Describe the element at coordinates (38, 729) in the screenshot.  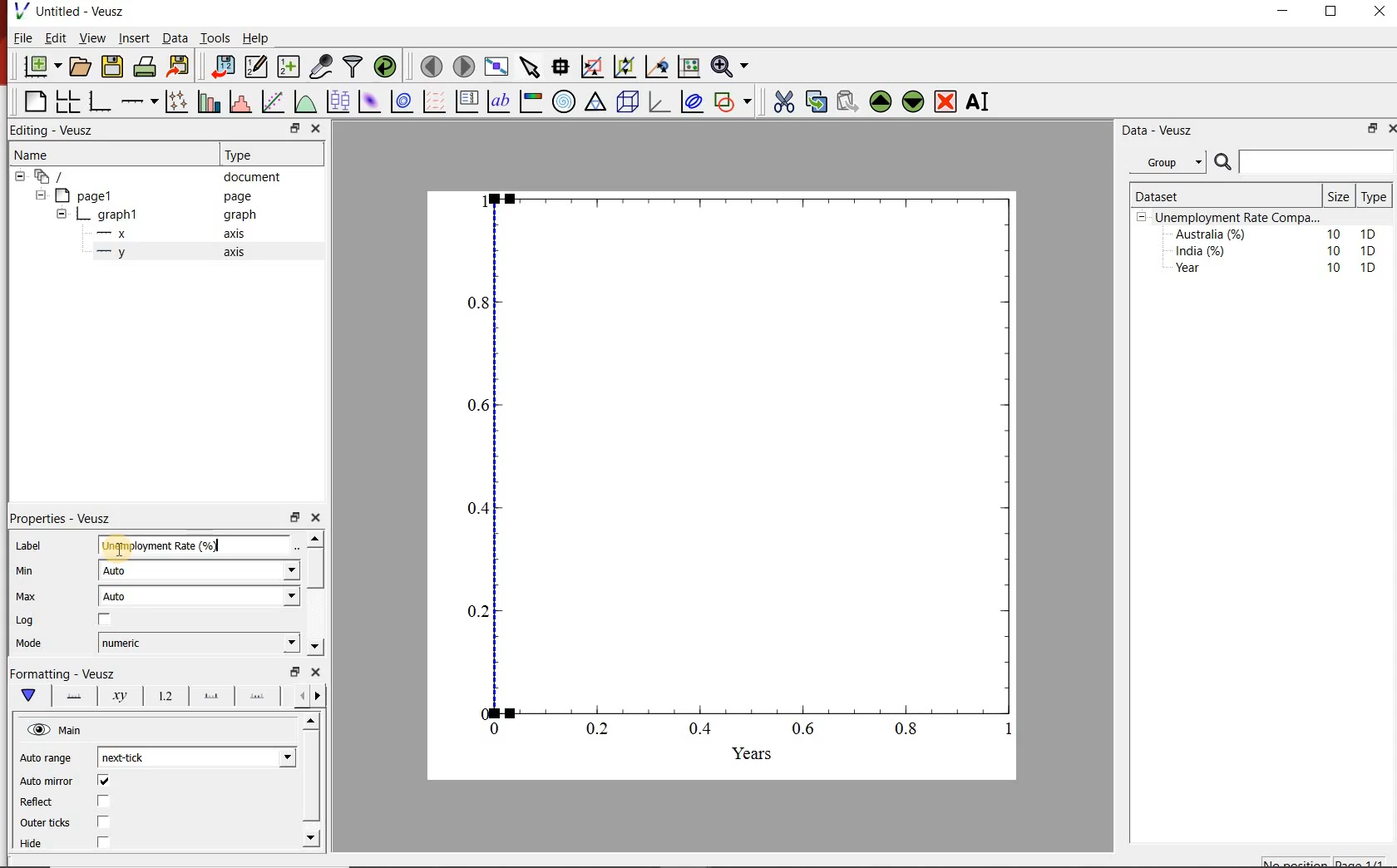
I see `hide/unhide` at that location.